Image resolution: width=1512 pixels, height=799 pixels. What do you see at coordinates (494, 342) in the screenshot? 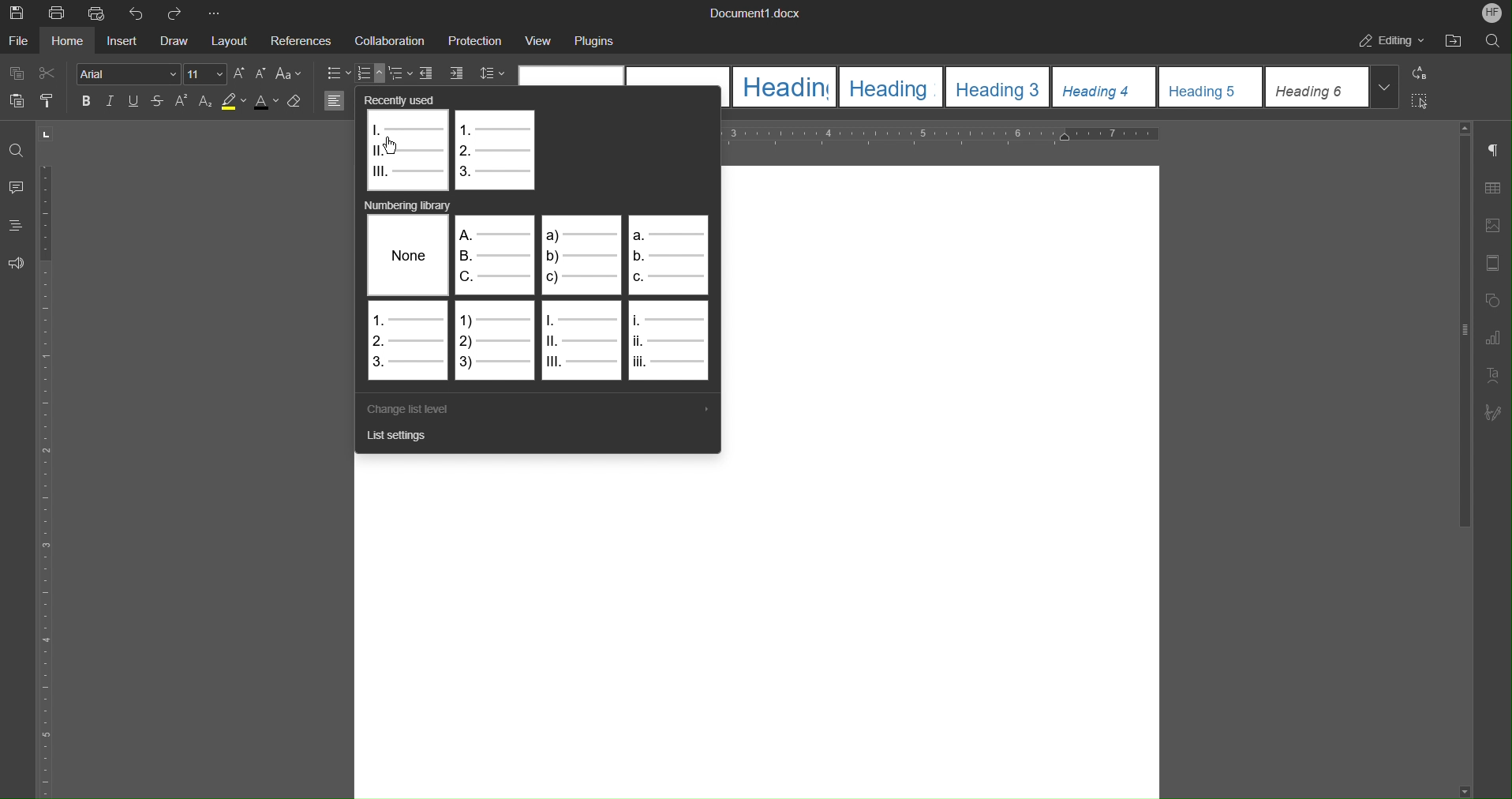
I see `Numbered List 2` at bounding box center [494, 342].